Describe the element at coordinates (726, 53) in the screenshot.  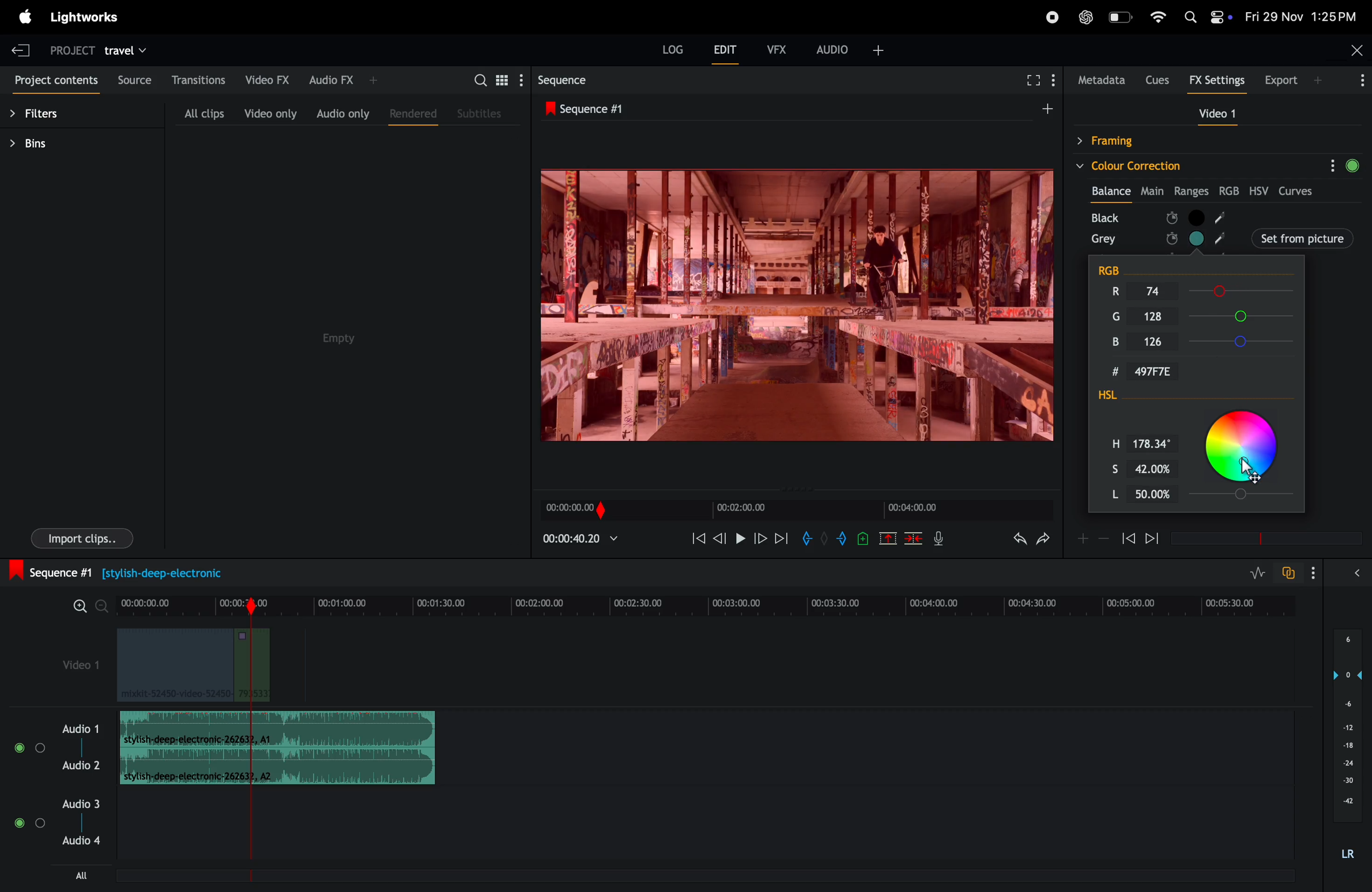
I see `edit` at that location.